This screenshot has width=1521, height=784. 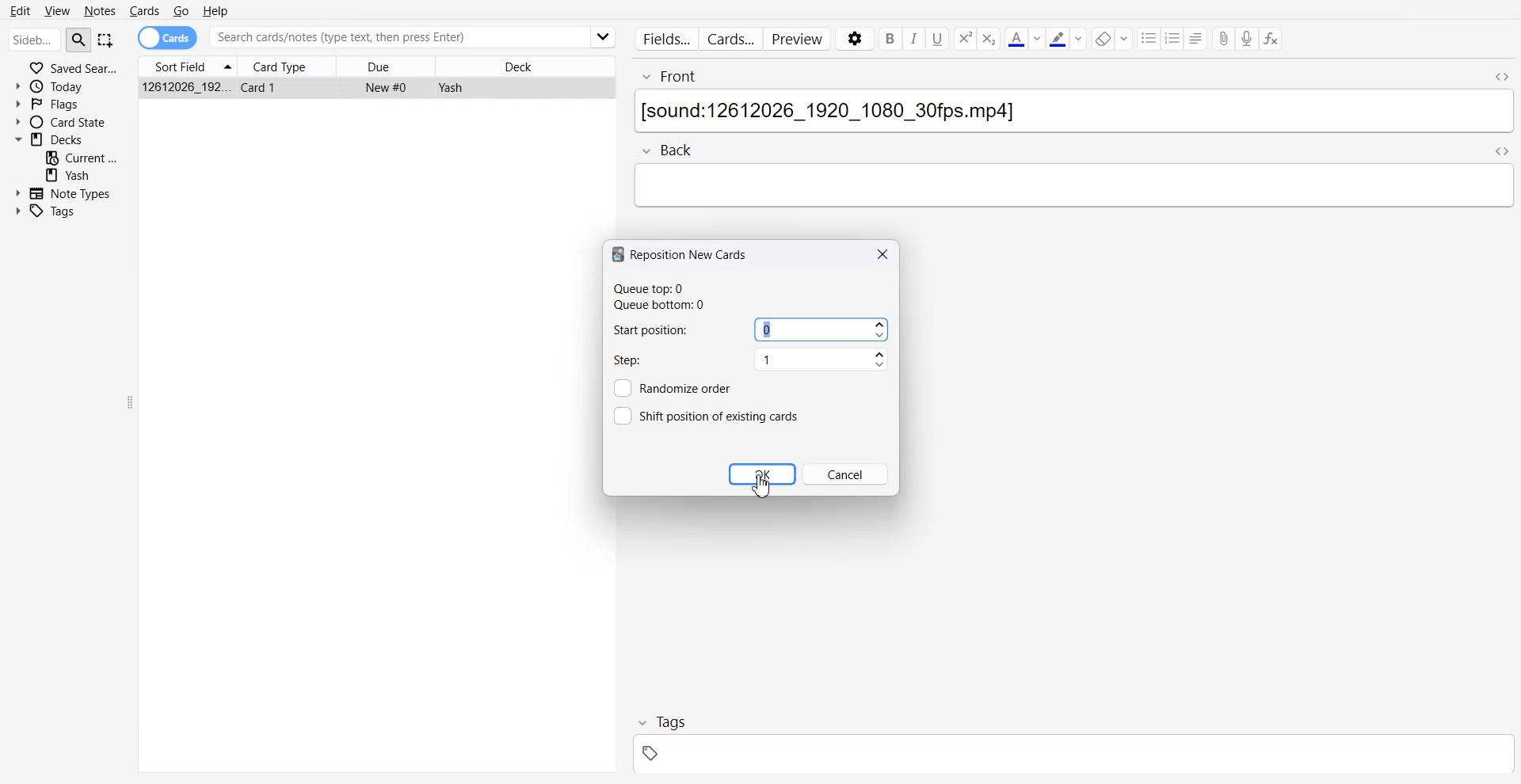 I want to click on Start Position: 0, so click(x=668, y=329).